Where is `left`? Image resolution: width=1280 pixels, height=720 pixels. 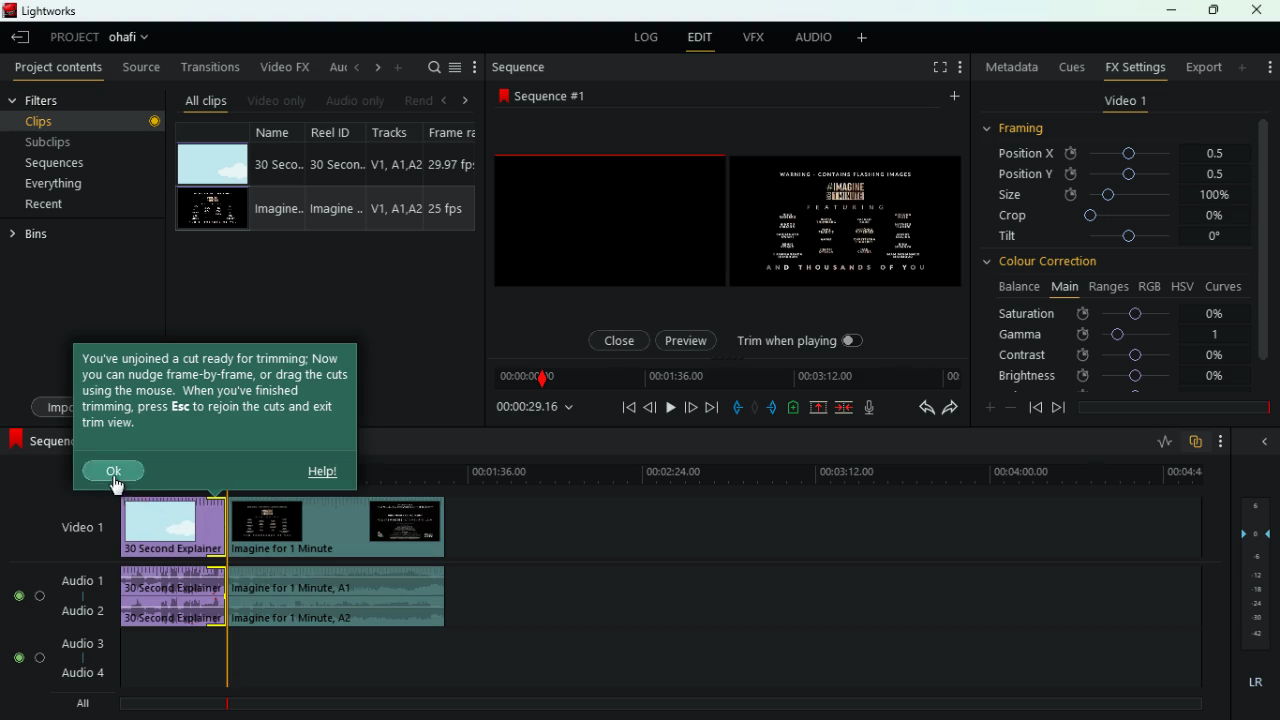 left is located at coordinates (448, 100).